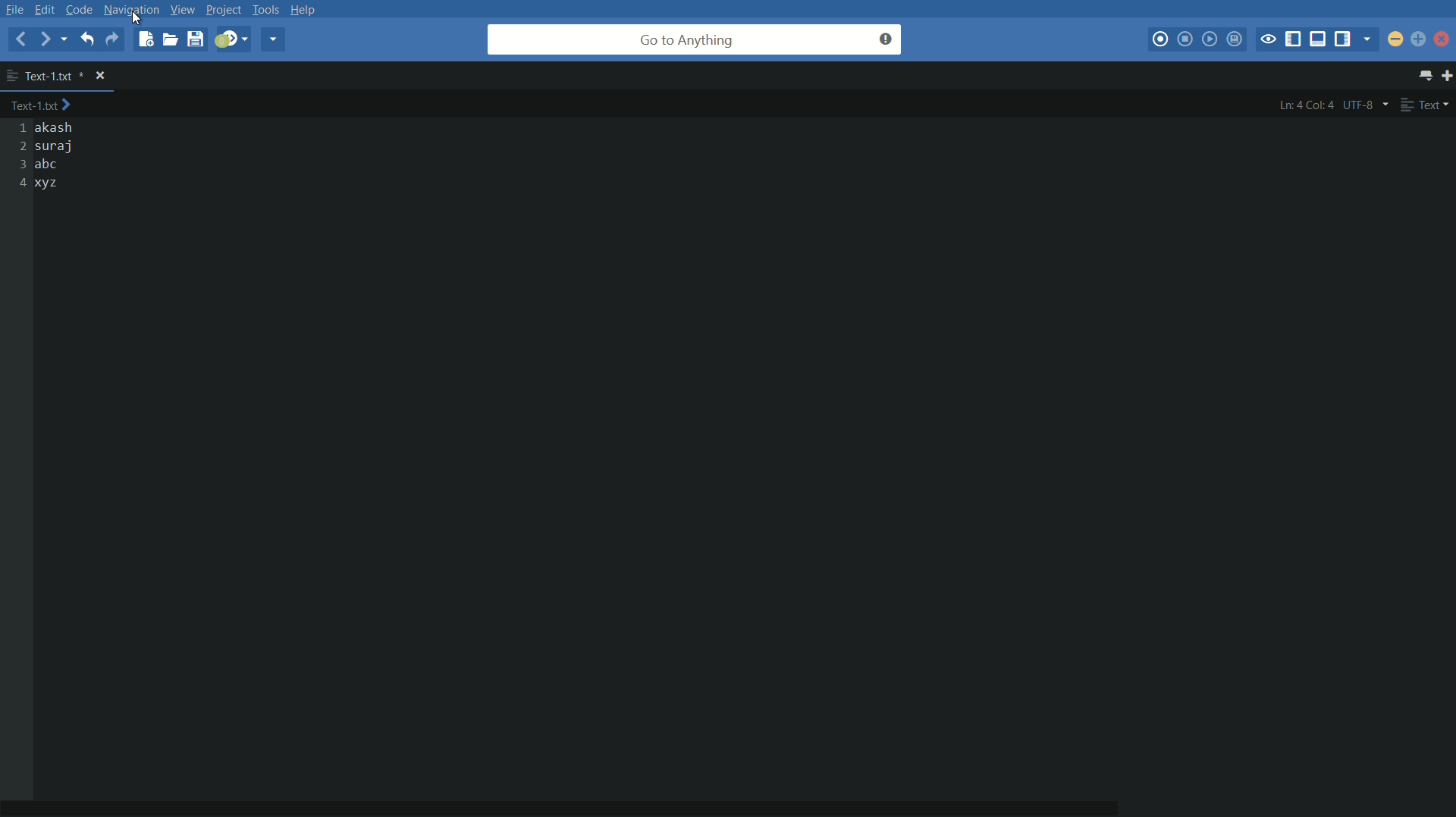 The width and height of the screenshot is (1456, 817). I want to click on text, so click(1426, 105).